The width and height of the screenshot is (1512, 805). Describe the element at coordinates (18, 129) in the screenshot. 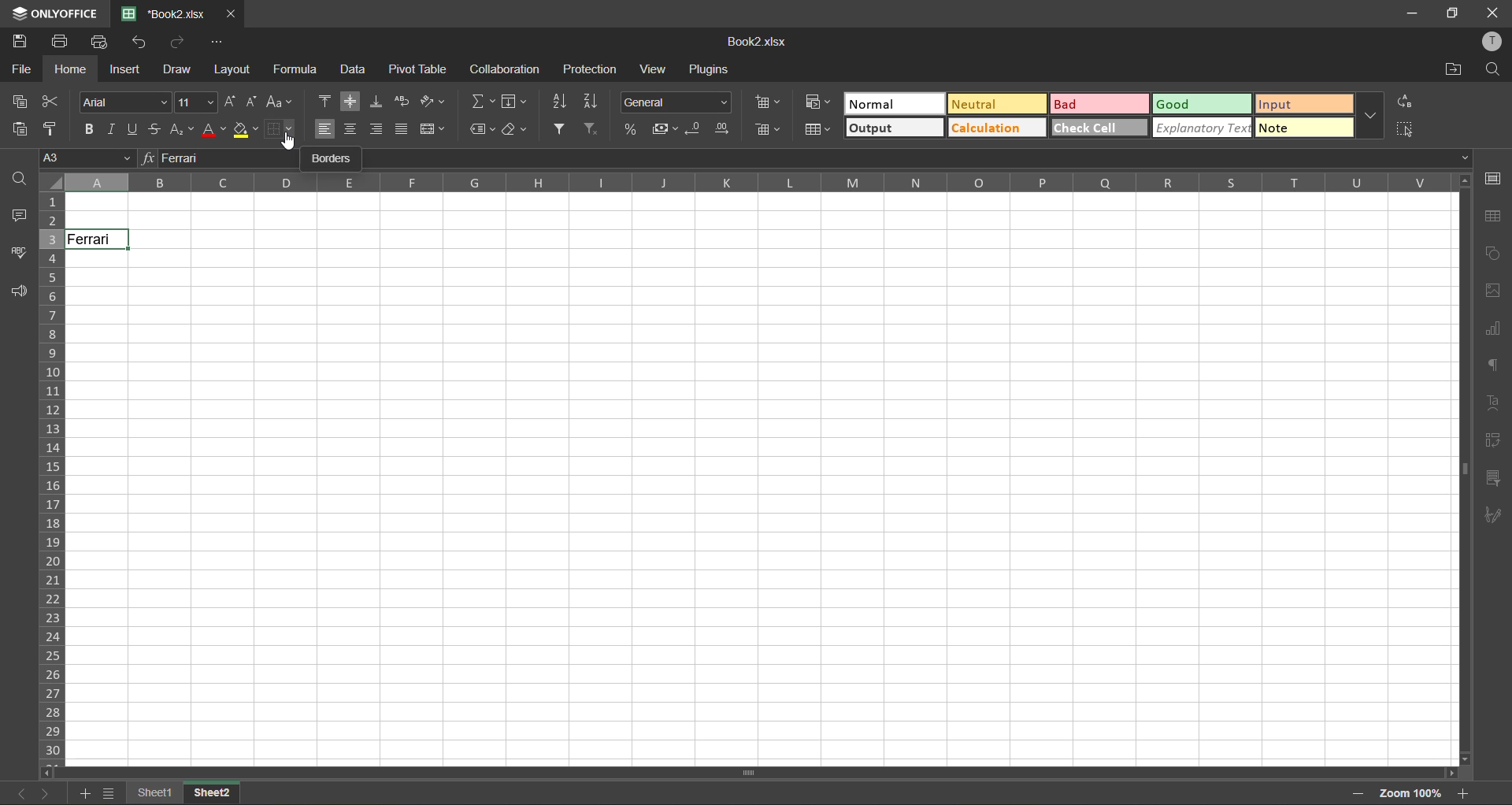

I see `paste` at that location.